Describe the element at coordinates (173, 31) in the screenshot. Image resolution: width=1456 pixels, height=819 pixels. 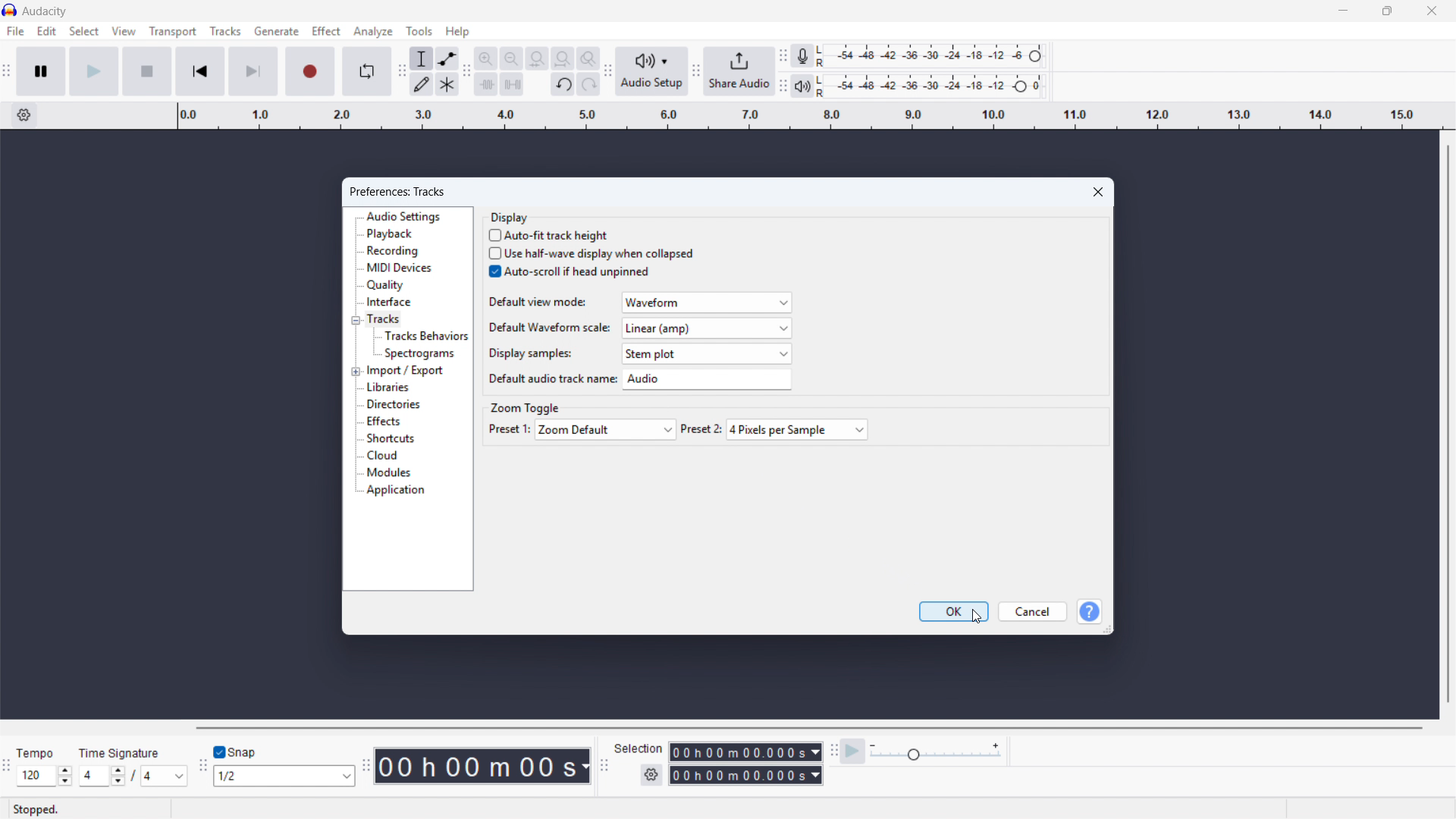
I see `transport` at that location.